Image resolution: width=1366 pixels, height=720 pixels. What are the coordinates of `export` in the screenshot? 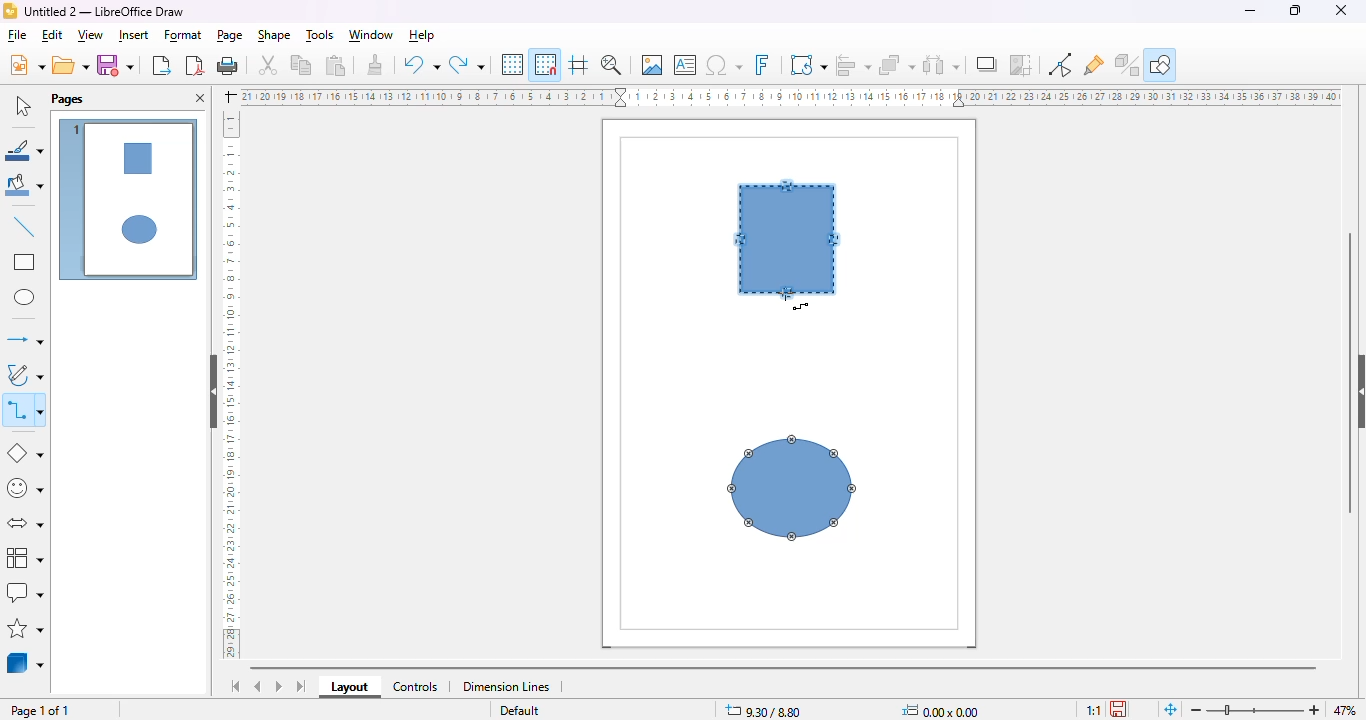 It's located at (161, 66).